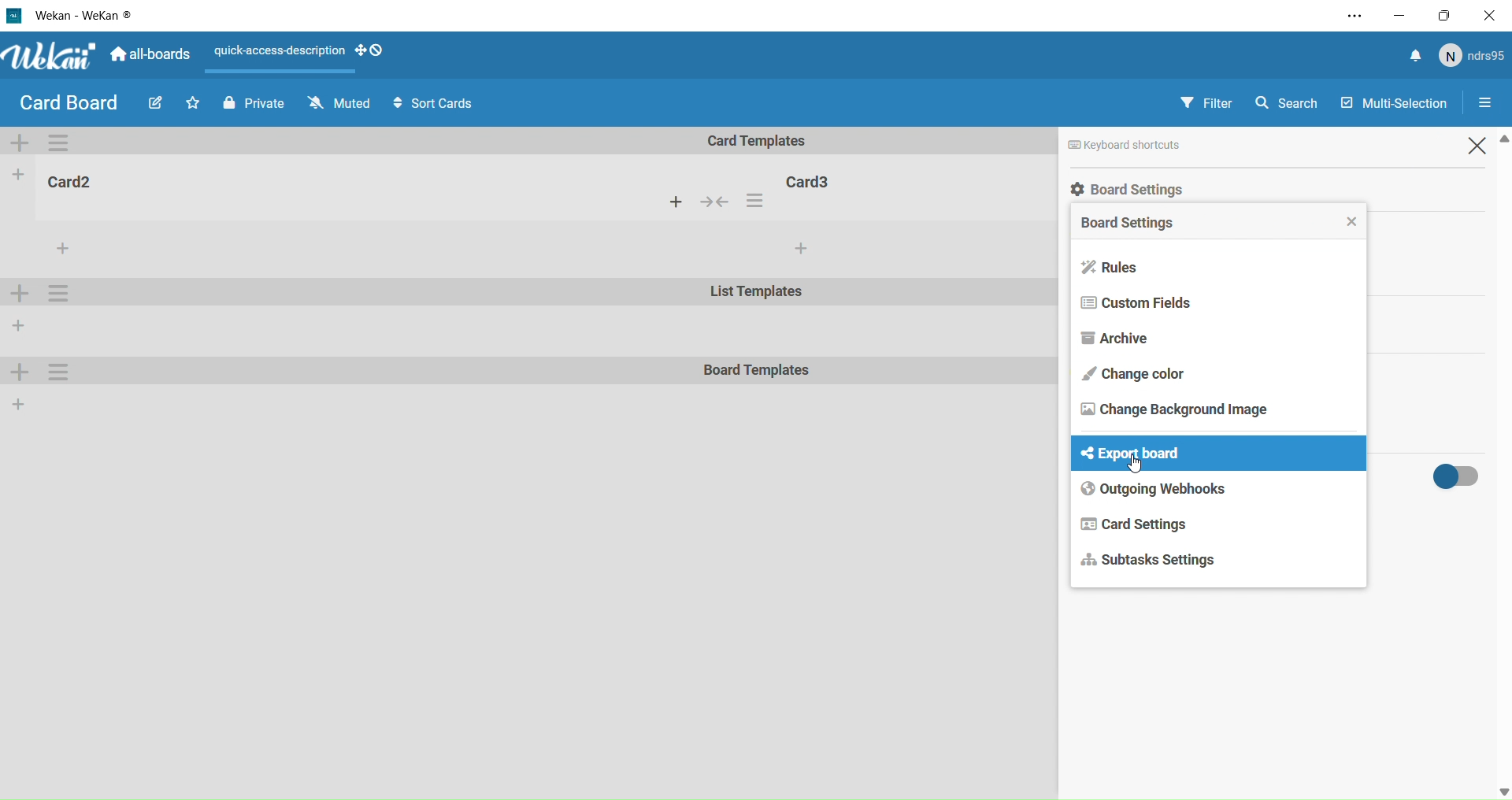 This screenshot has height=800, width=1512. Describe the element at coordinates (57, 294) in the screenshot. I see `` at that location.